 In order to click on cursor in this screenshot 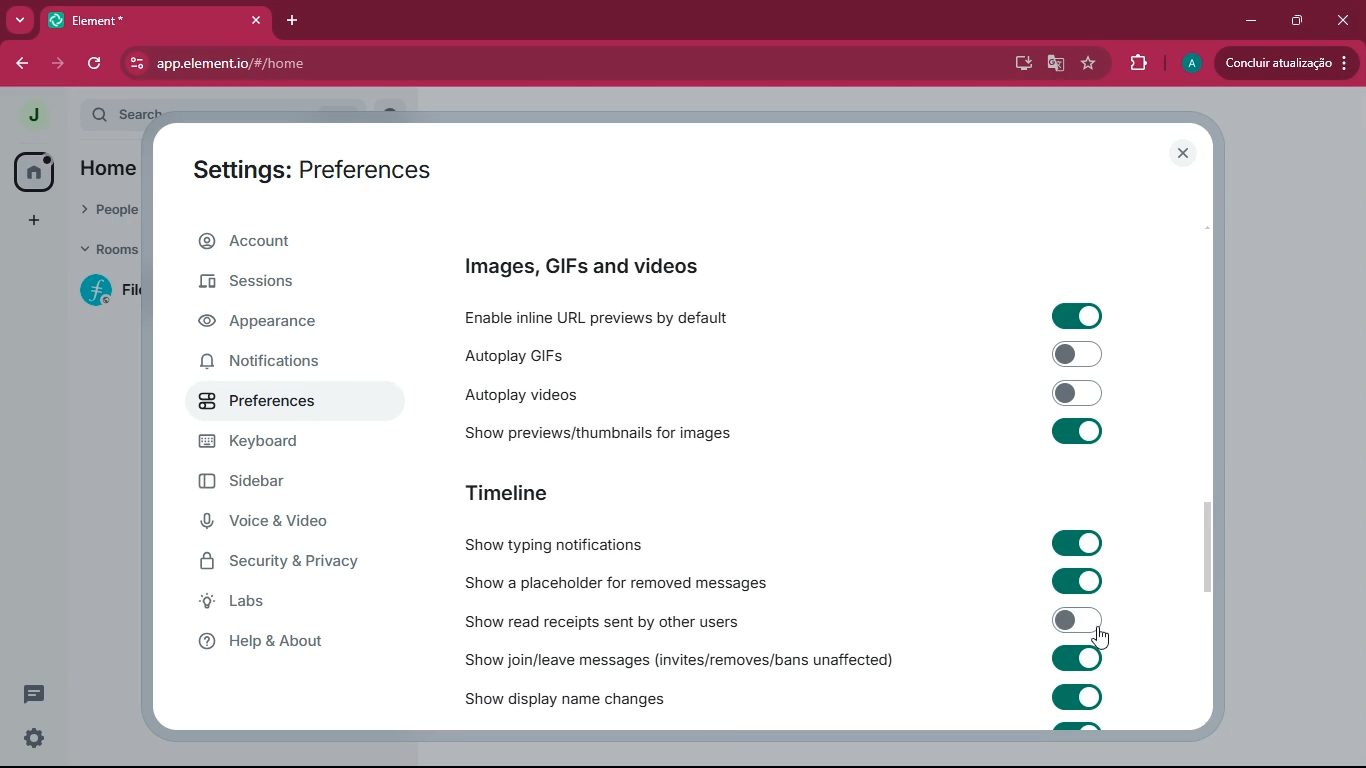, I will do `click(1100, 638)`.